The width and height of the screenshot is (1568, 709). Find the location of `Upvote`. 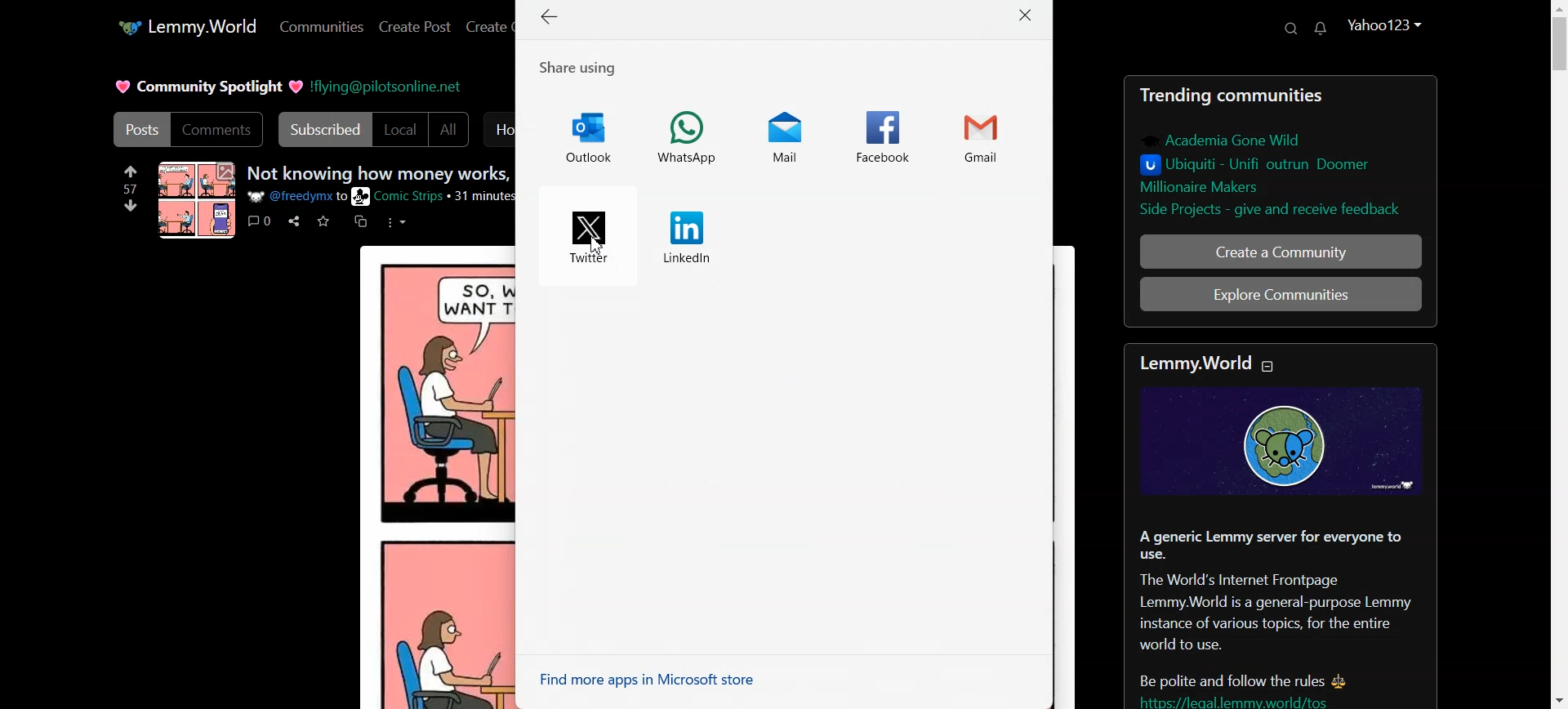

Upvote is located at coordinates (131, 178).